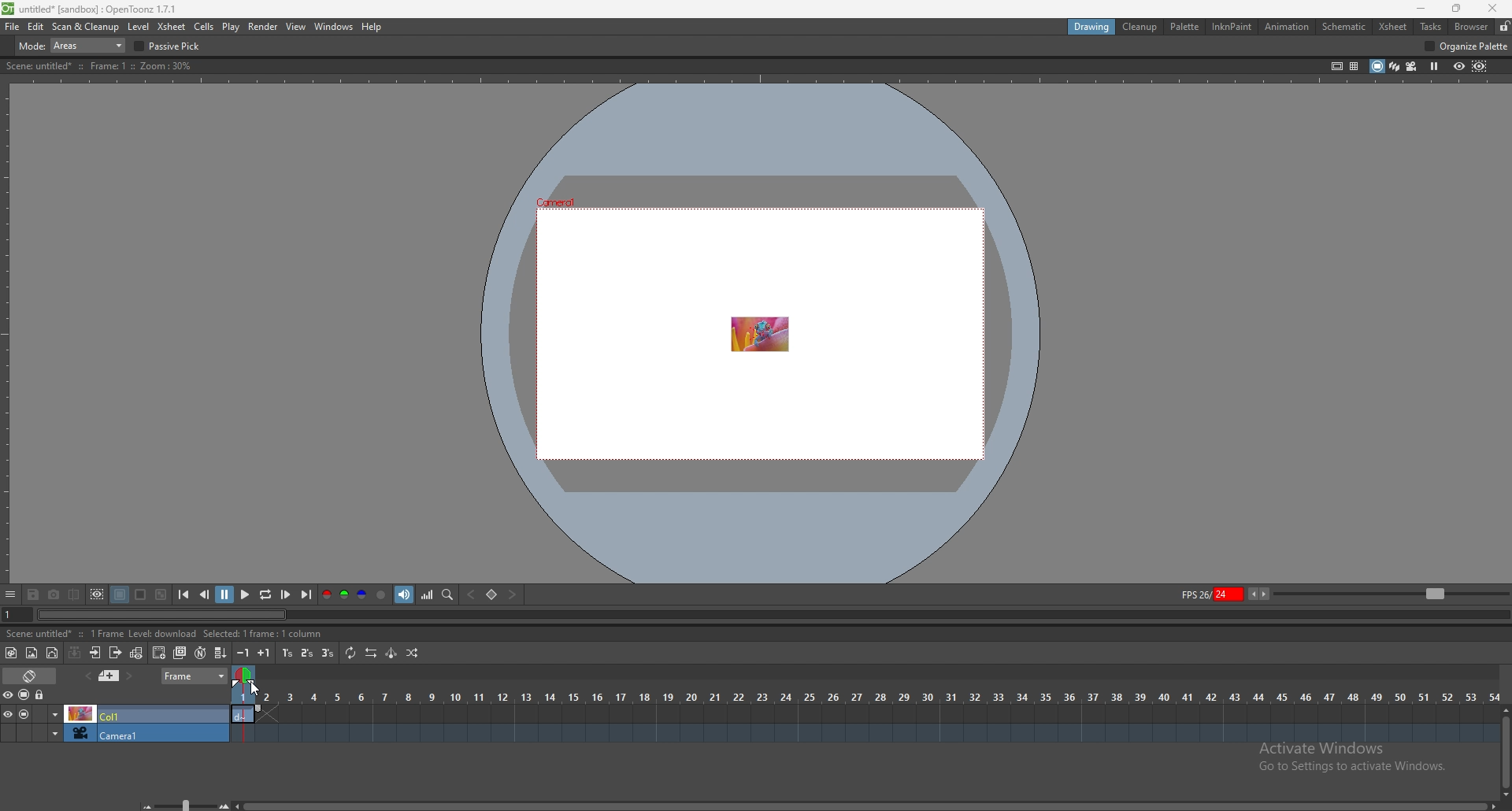 The width and height of the screenshot is (1512, 811). What do you see at coordinates (1094, 27) in the screenshot?
I see `drawing` at bounding box center [1094, 27].